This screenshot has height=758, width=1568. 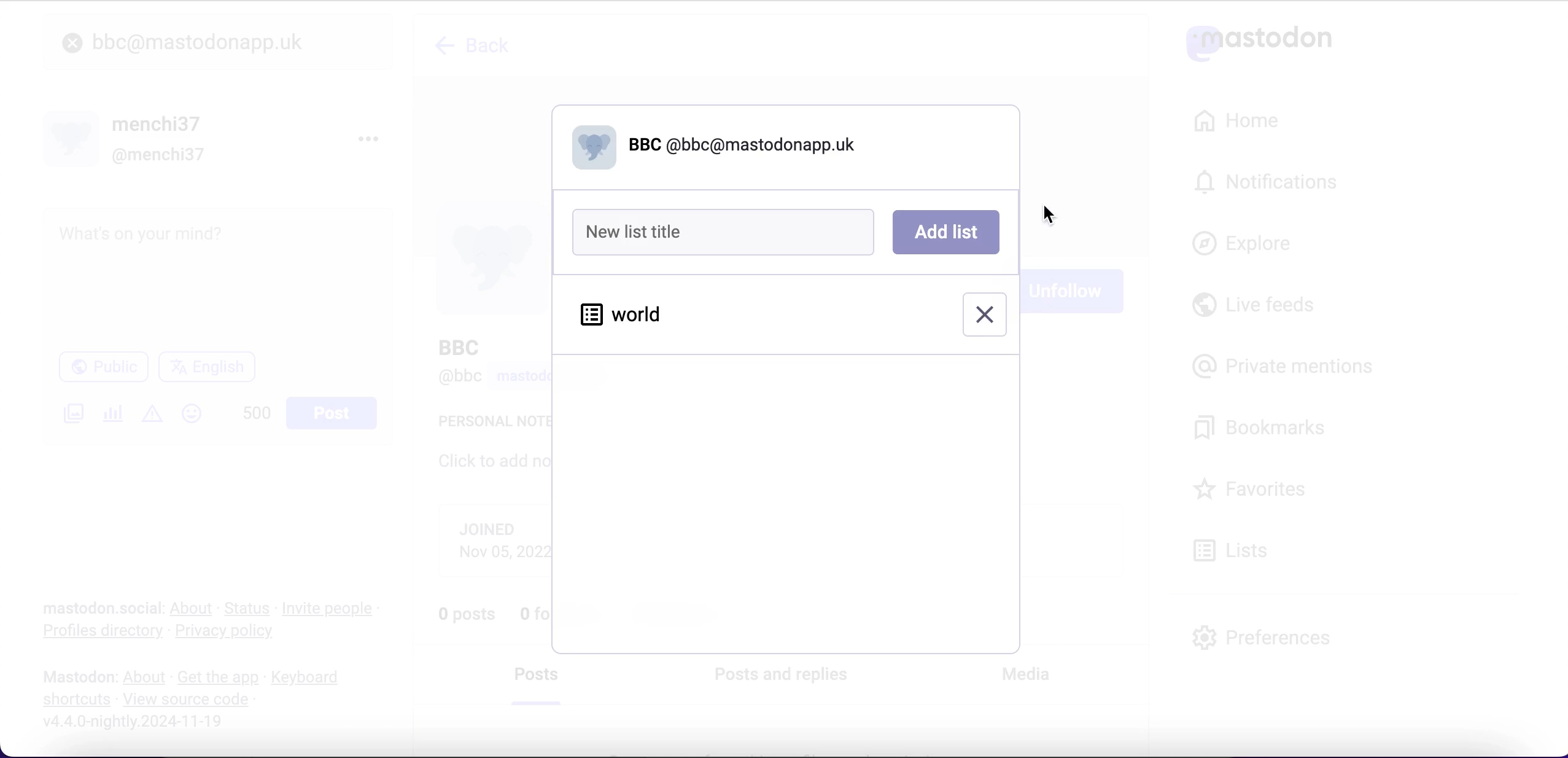 I want to click on keyboard, so click(x=309, y=679).